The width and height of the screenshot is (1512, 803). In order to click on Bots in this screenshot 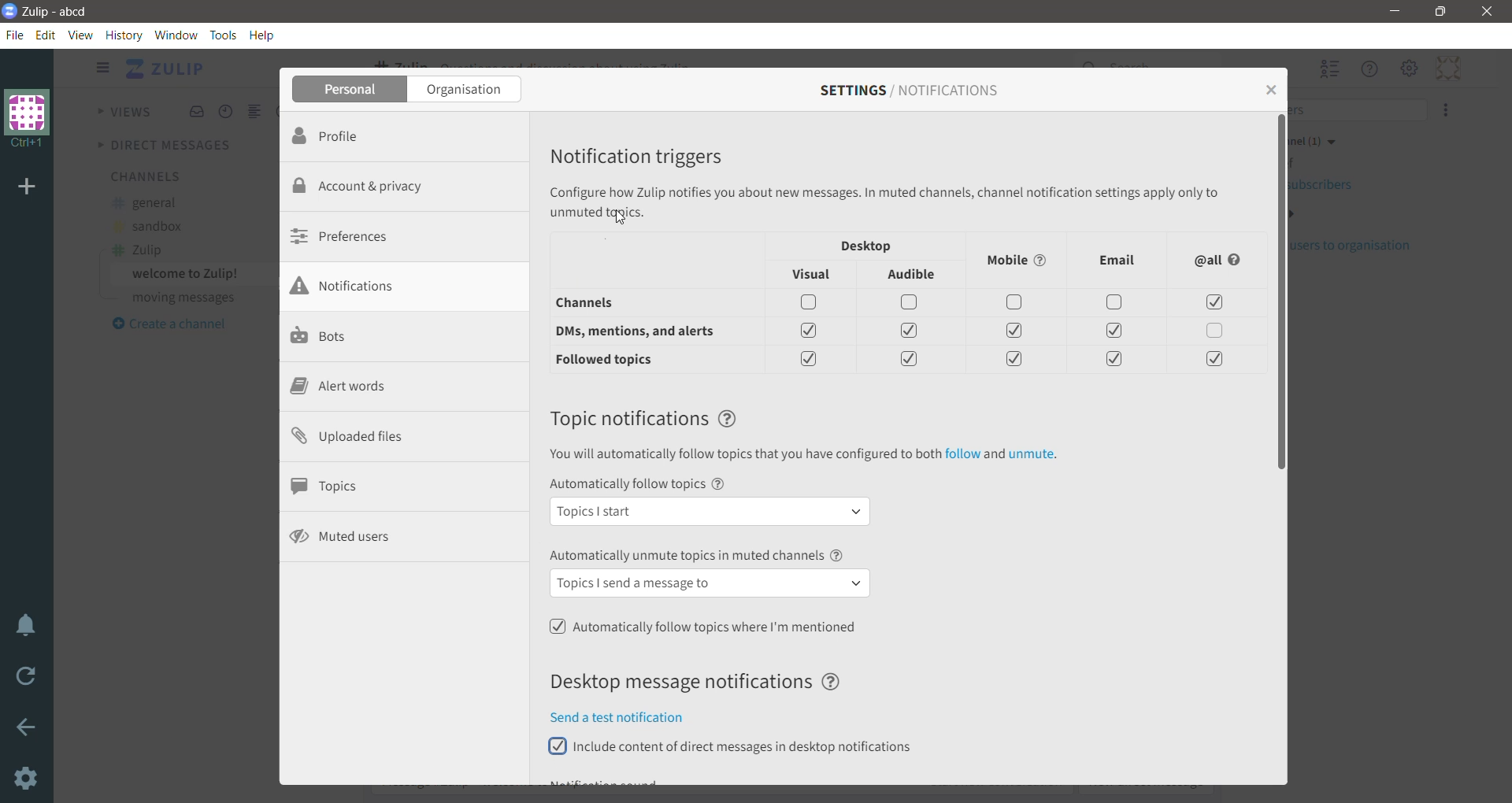, I will do `click(322, 337)`.